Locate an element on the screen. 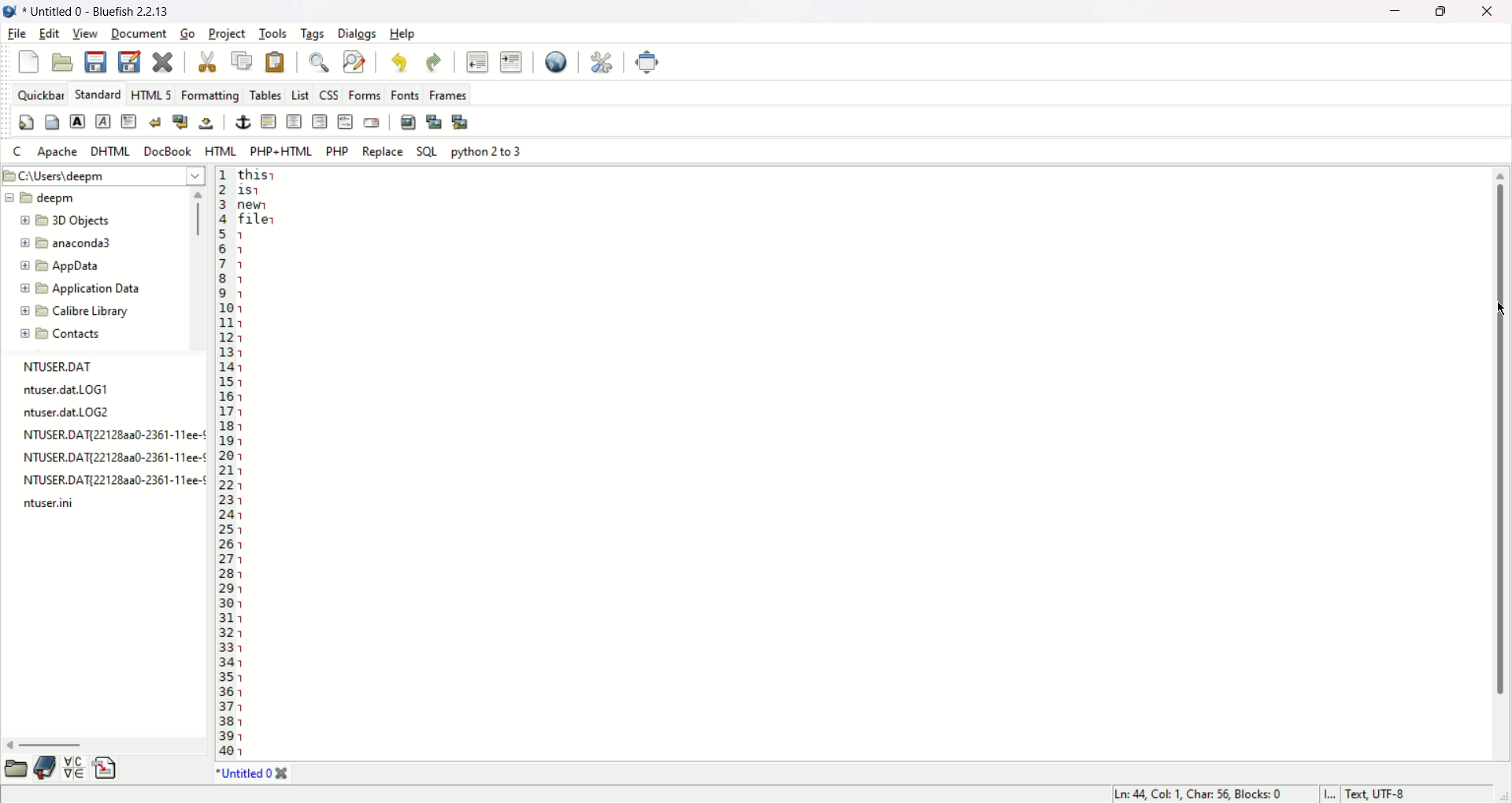  SQL is located at coordinates (428, 152).